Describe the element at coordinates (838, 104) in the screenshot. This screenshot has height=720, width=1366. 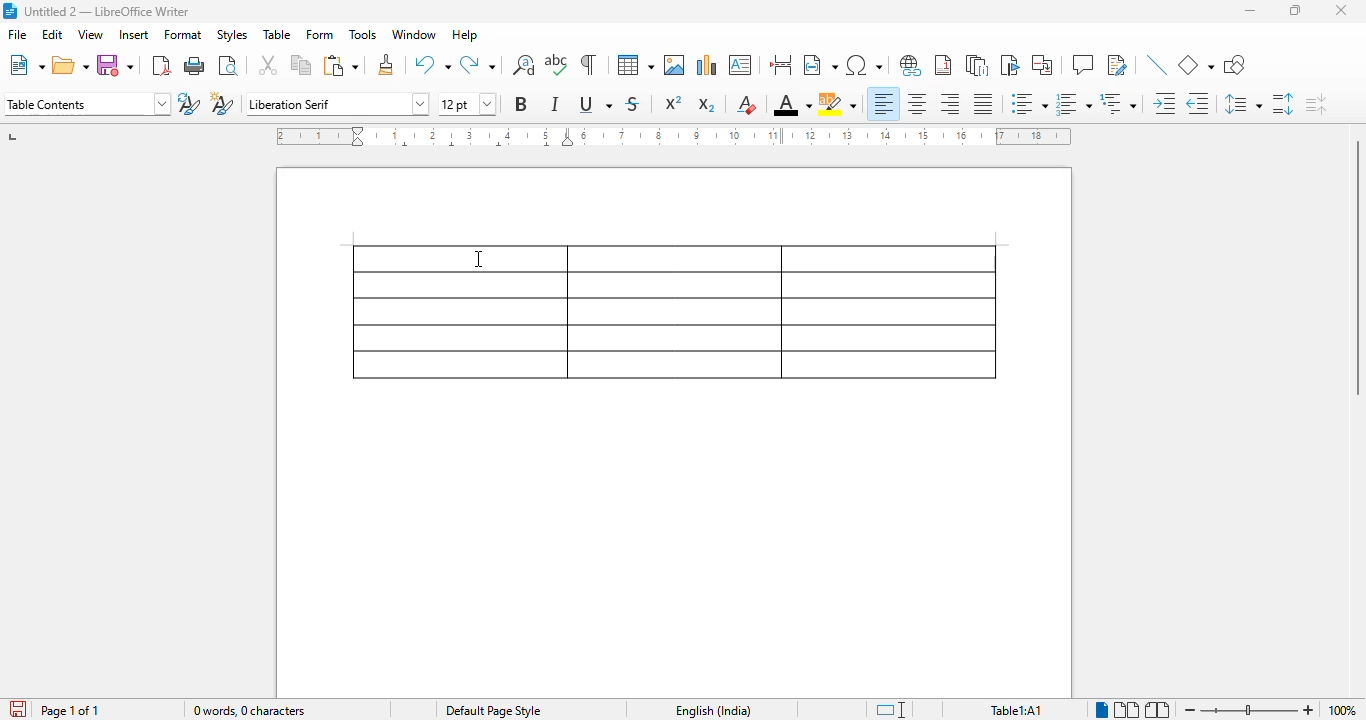
I see `character highlighting color` at that location.